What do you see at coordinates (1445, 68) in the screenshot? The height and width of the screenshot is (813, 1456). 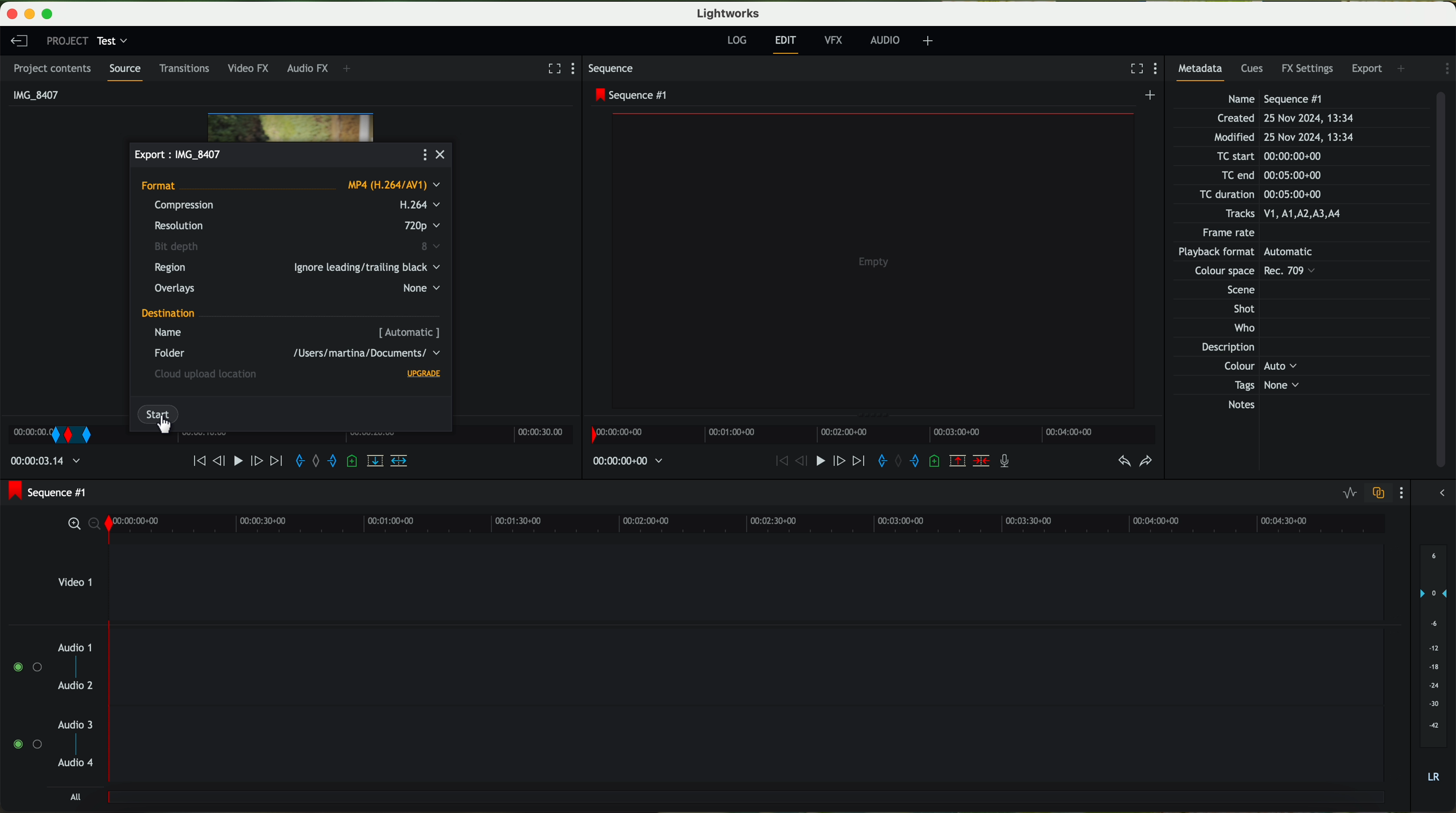 I see `show settings menu` at bounding box center [1445, 68].